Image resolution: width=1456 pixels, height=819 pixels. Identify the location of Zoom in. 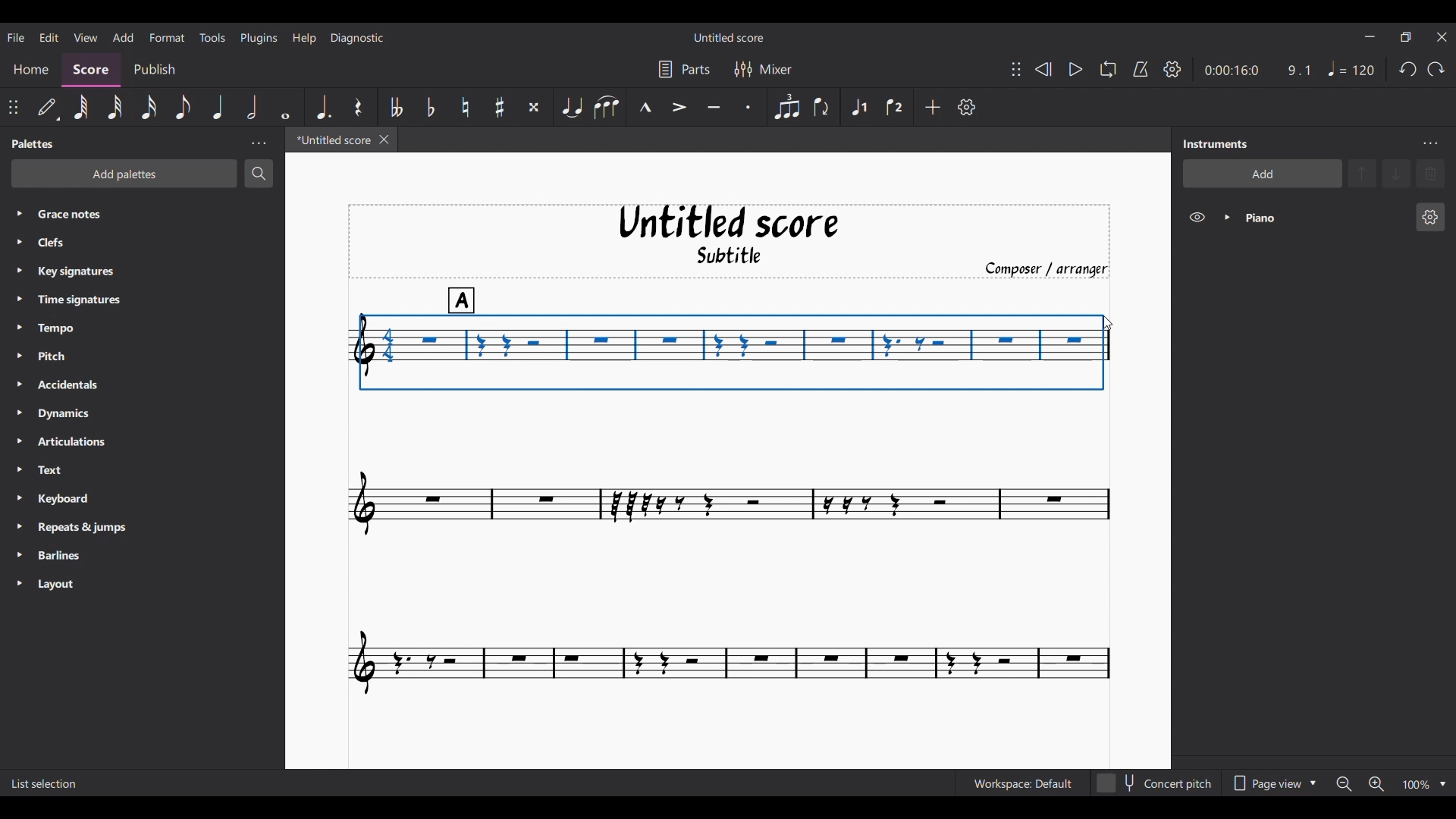
(1376, 784).